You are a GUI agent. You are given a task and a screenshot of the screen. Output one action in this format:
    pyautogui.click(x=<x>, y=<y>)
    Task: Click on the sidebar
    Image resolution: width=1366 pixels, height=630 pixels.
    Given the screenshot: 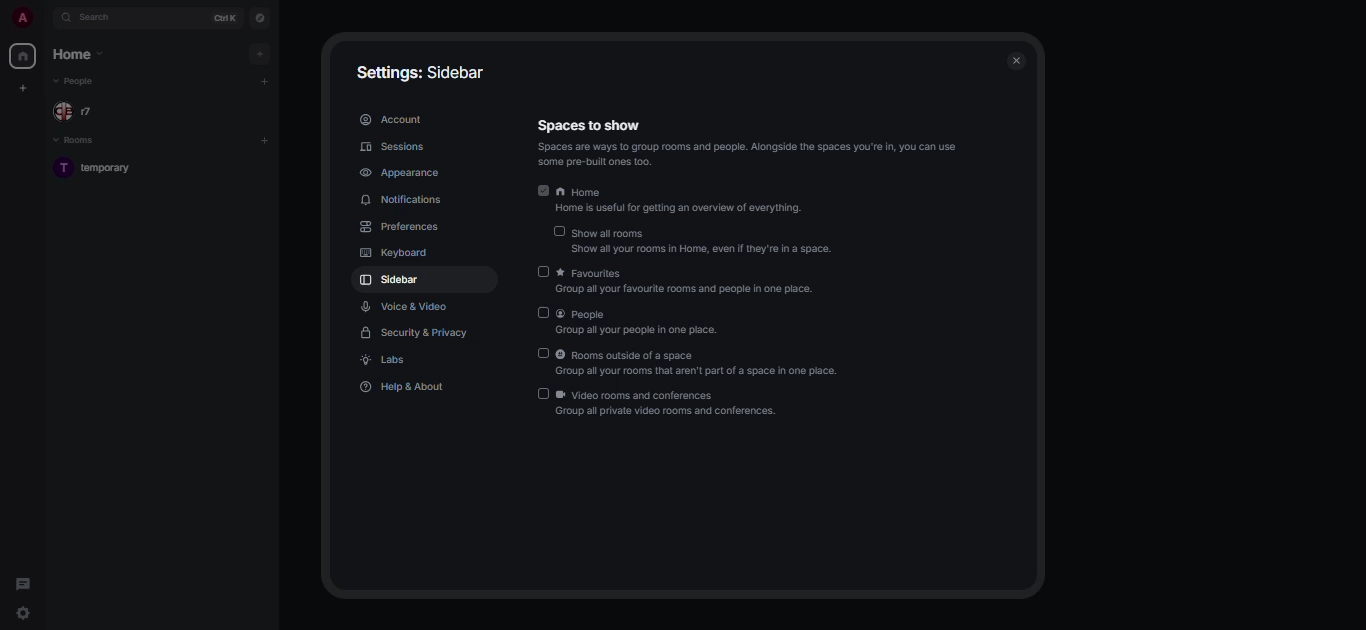 What is the action you would take?
    pyautogui.click(x=393, y=281)
    